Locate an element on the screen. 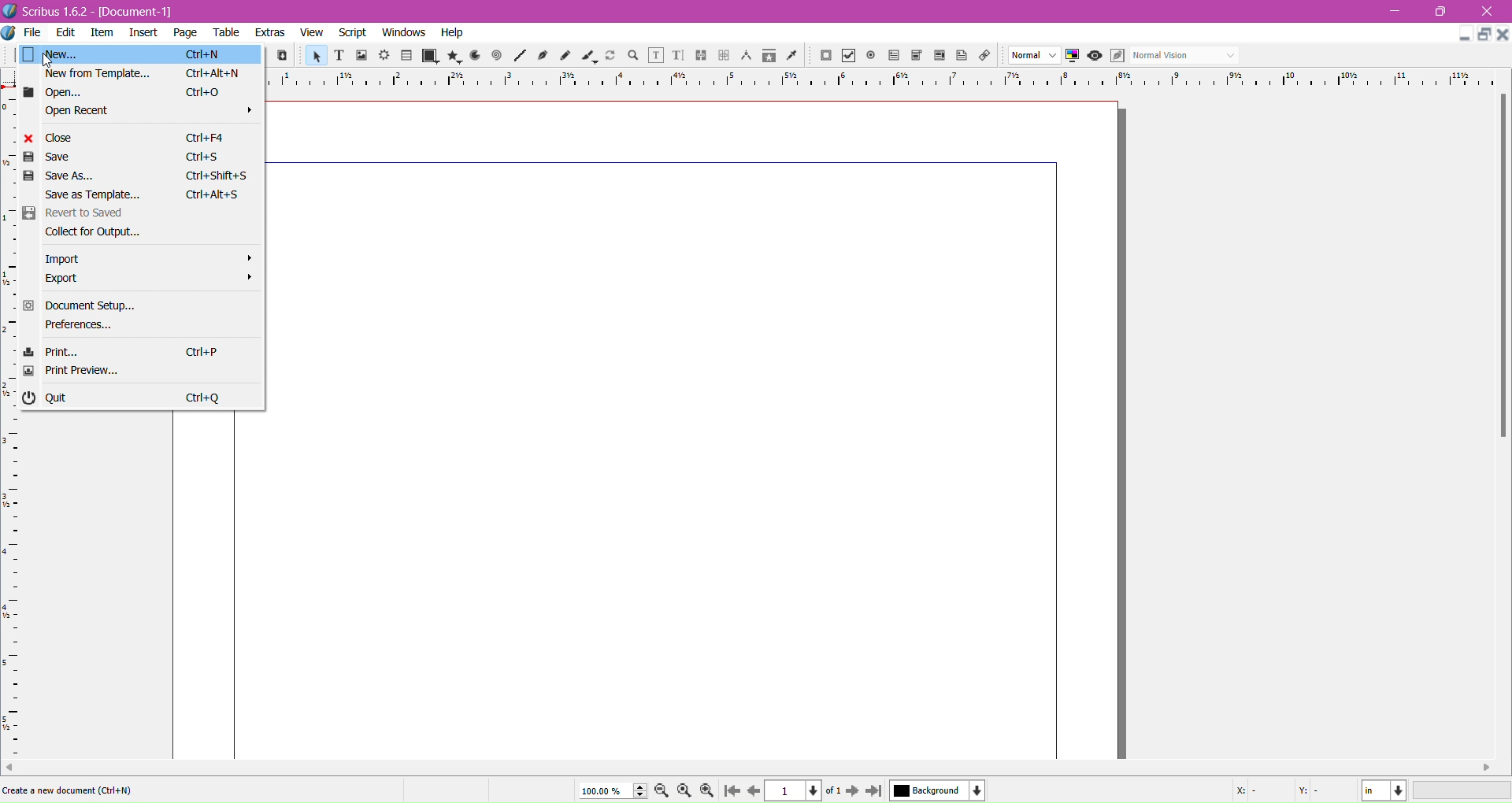  icon is located at coordinates (474, 56).